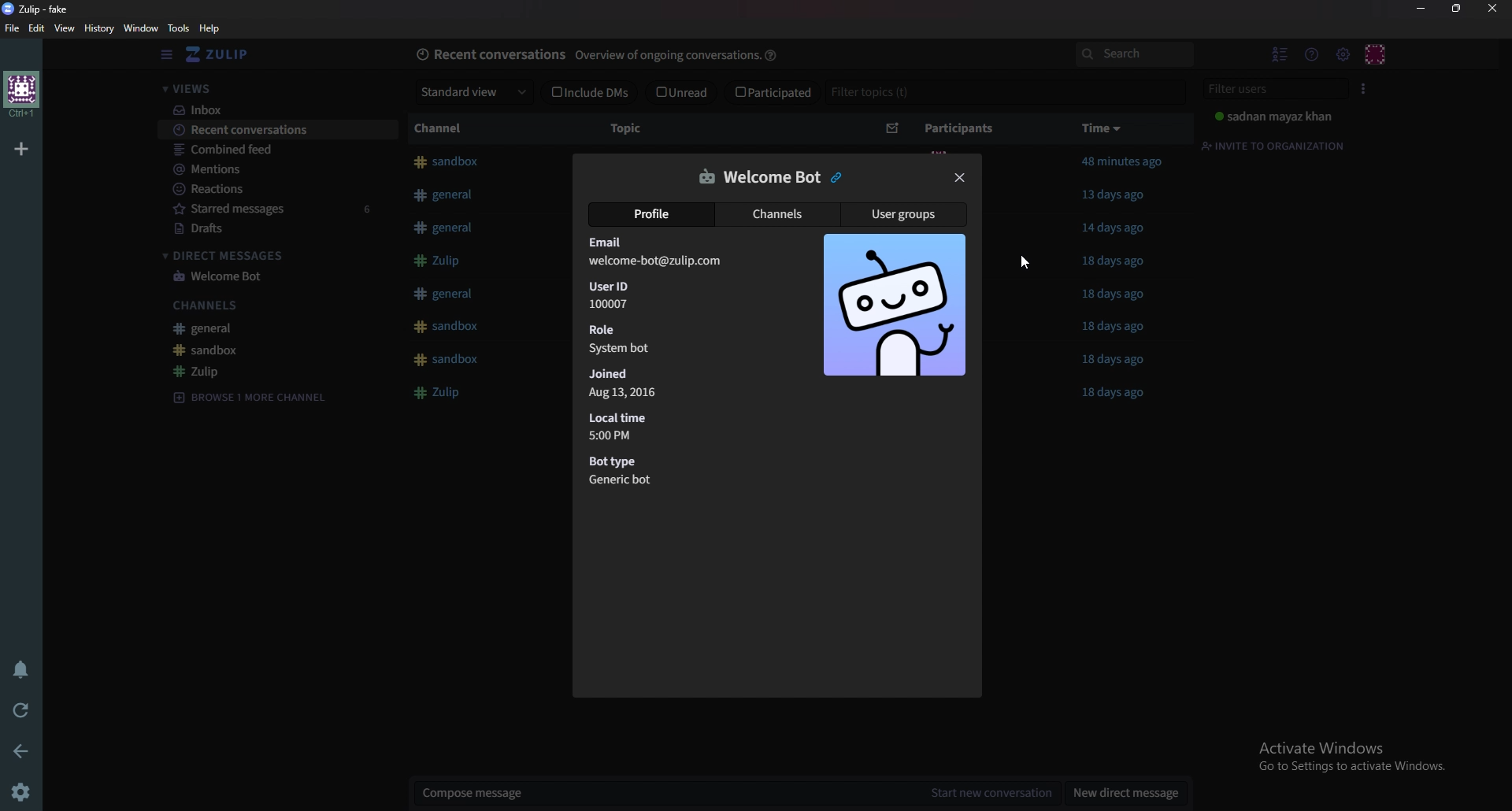  I want to click on Drafts, so click(278, 229).